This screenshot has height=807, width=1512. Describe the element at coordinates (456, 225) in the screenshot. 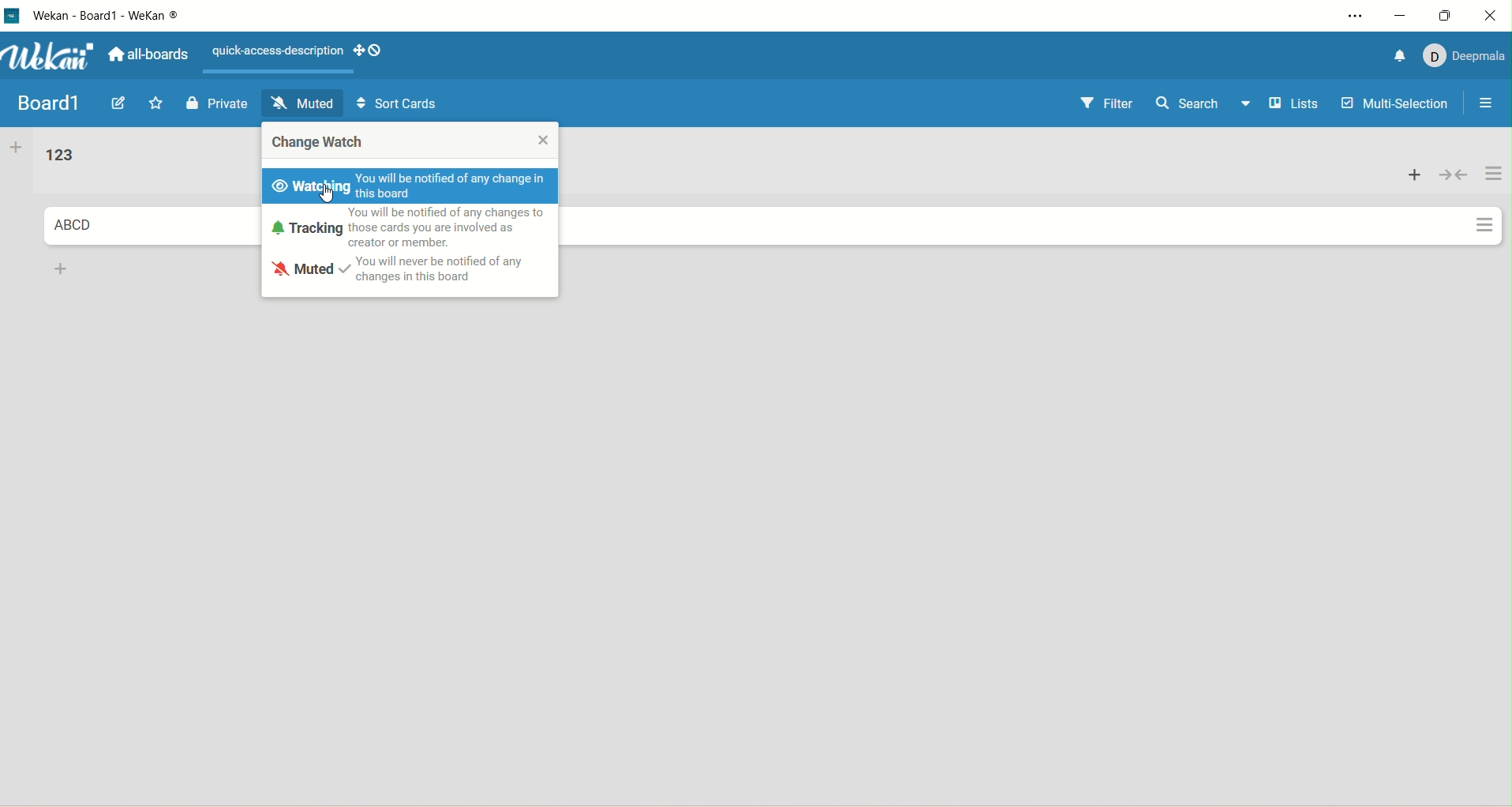

I see `‘You will be notified of any changes toJ those cards you are involved as‘creator or member. ` at that location.